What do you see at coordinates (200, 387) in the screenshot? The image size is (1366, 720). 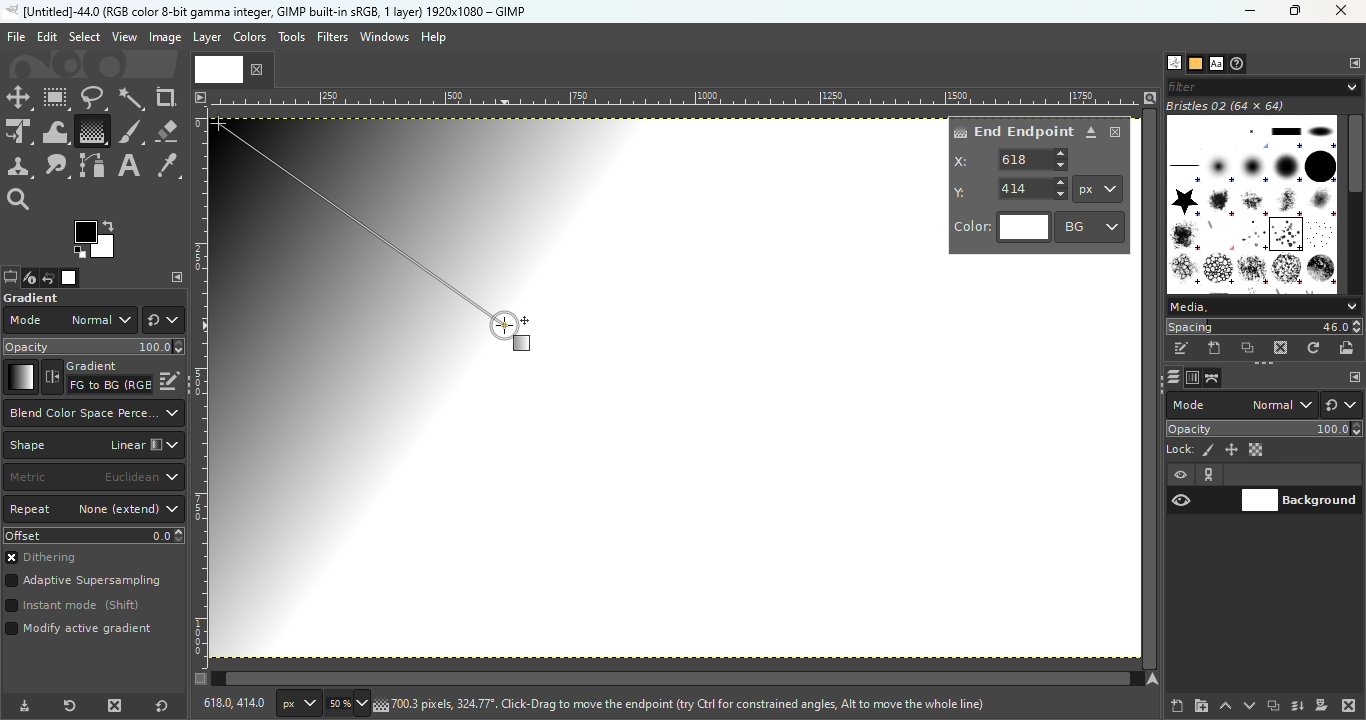 I see `Vertical ruler` at bounding box center [200, 387].